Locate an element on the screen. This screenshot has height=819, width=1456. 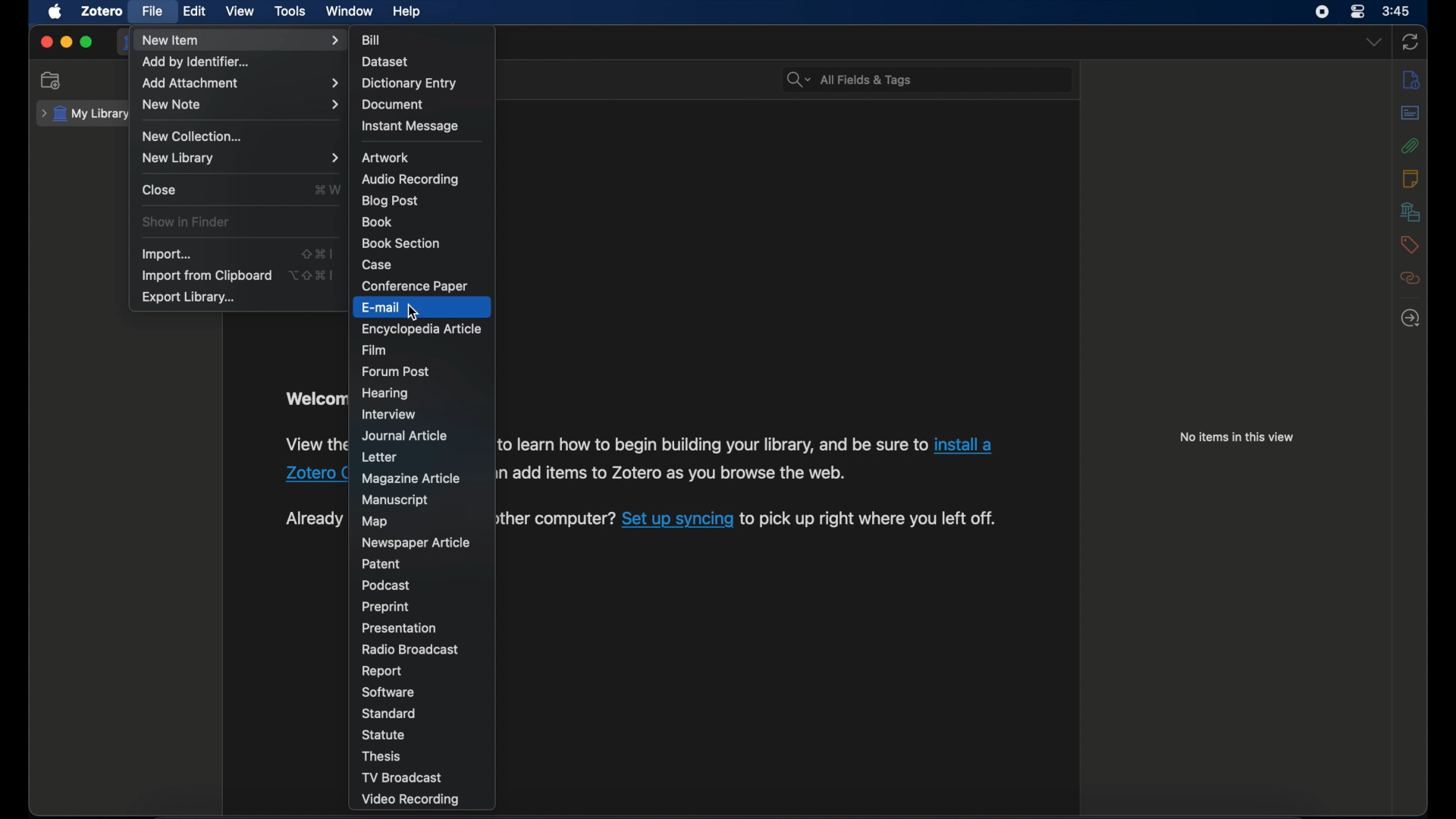
book is located at coordinates (376, 223).